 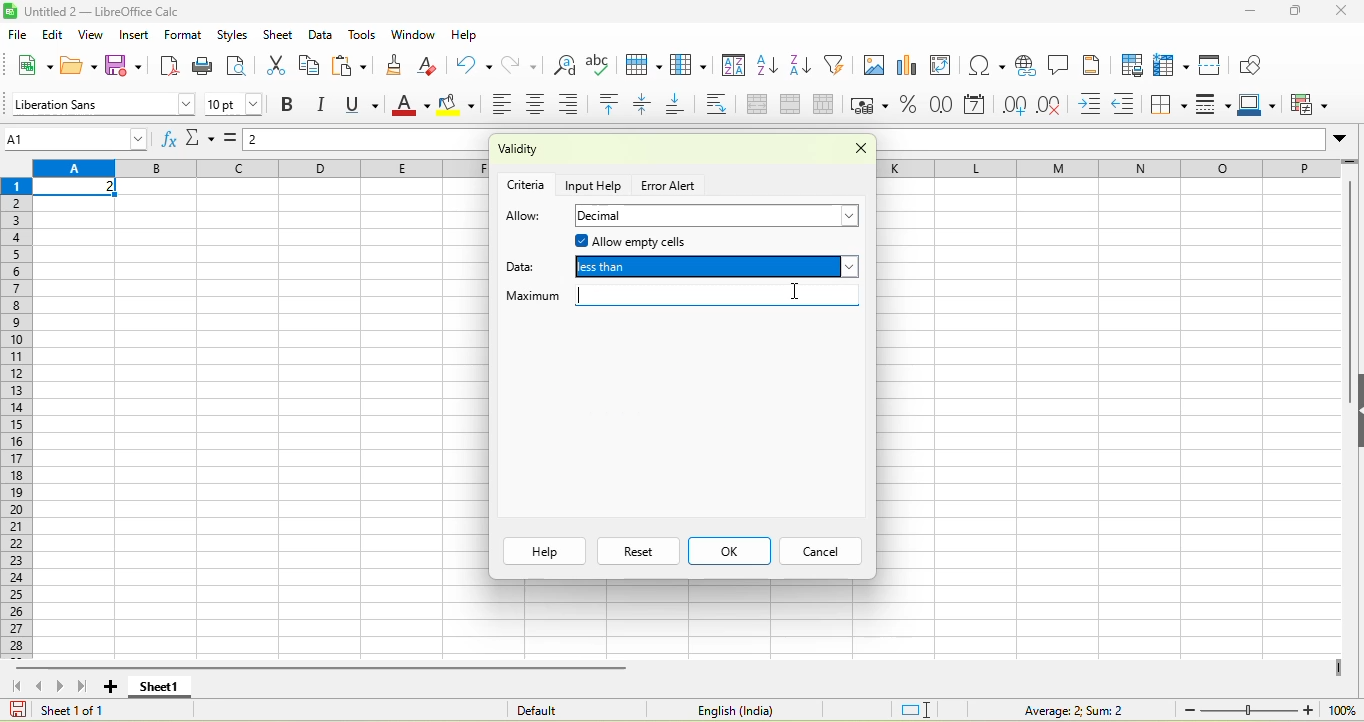 What do you see at coordinates (78, 138) in the screenshot?
I see `name box` at bounding box center [78, 138].